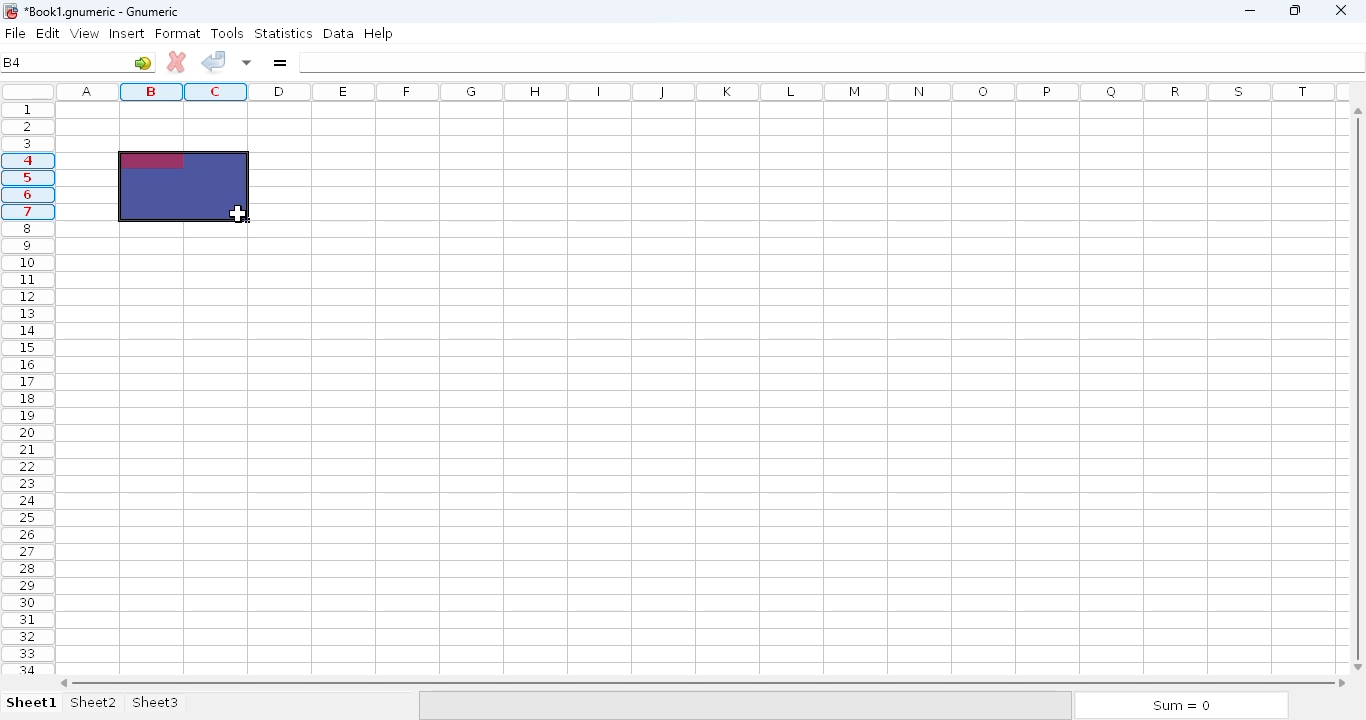 The height and width of the screenshot is (720, 1366). What do you see at coordinates (1358, 399) in the screenshot?
I see `vertical scroll bar` at bounding box center [1358, 399].